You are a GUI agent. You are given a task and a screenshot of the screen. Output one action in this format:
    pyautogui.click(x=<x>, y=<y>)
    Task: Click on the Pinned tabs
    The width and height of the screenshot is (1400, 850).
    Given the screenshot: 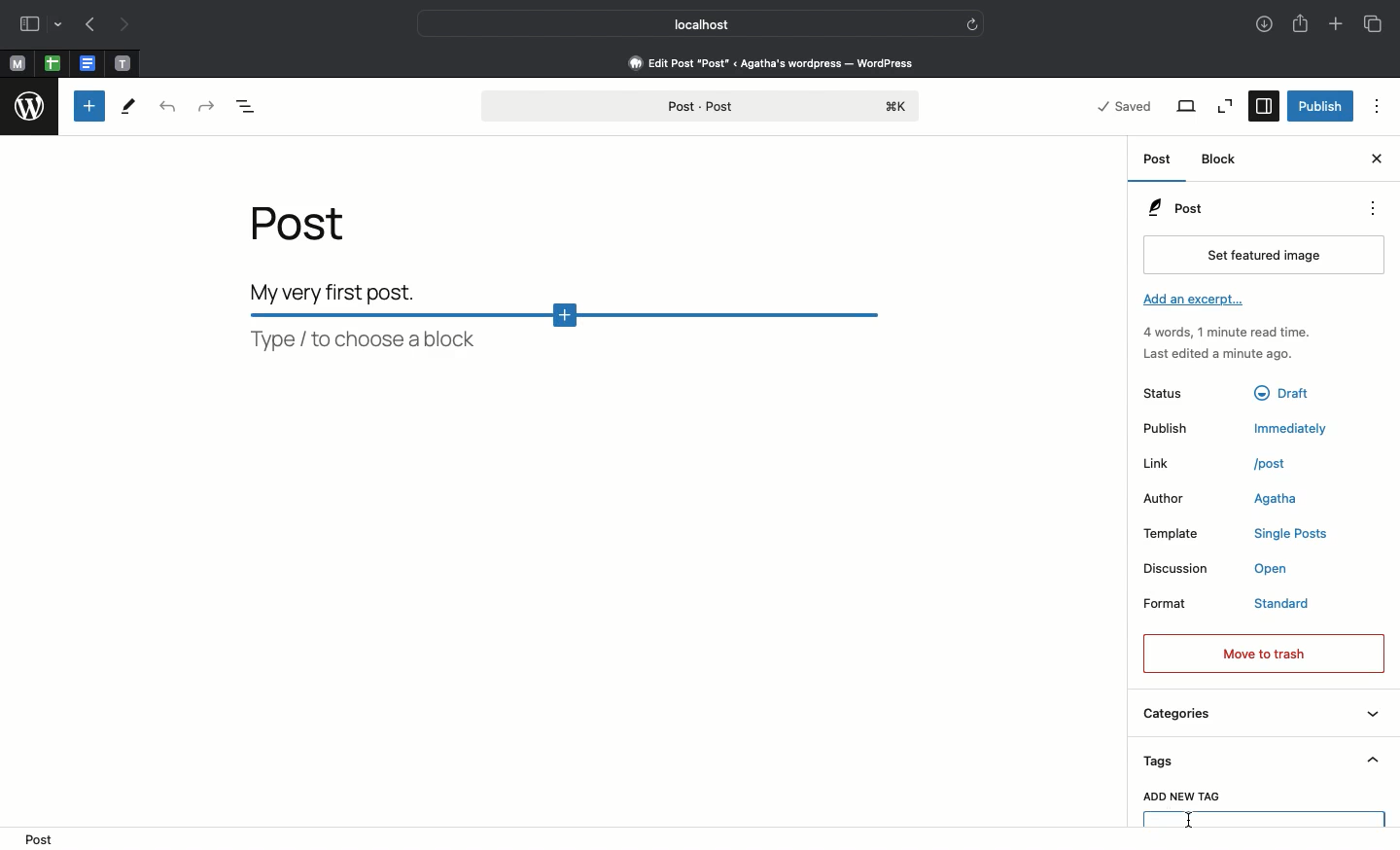 What is the action you would take?
    pyautogui.click(x=125, y=62)
    